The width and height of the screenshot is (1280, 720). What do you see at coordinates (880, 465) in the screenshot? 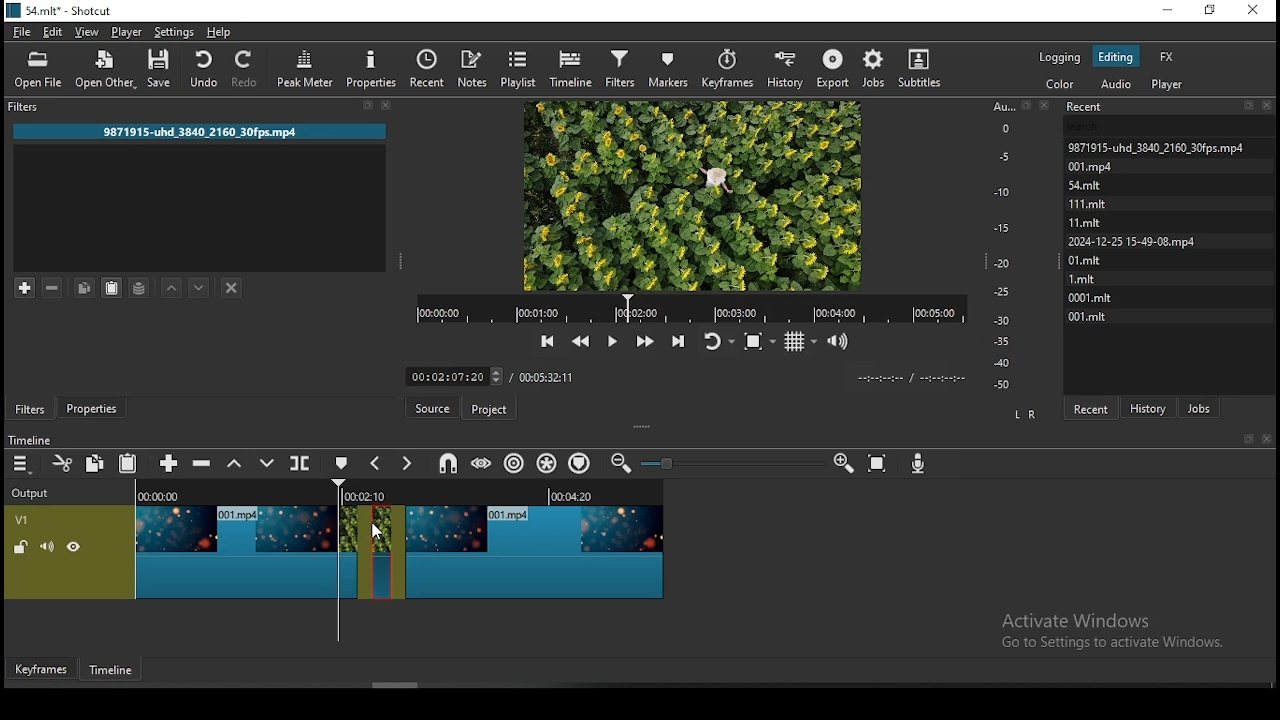
I see `zoom timeline to fit` at bounding box center [880, 465].